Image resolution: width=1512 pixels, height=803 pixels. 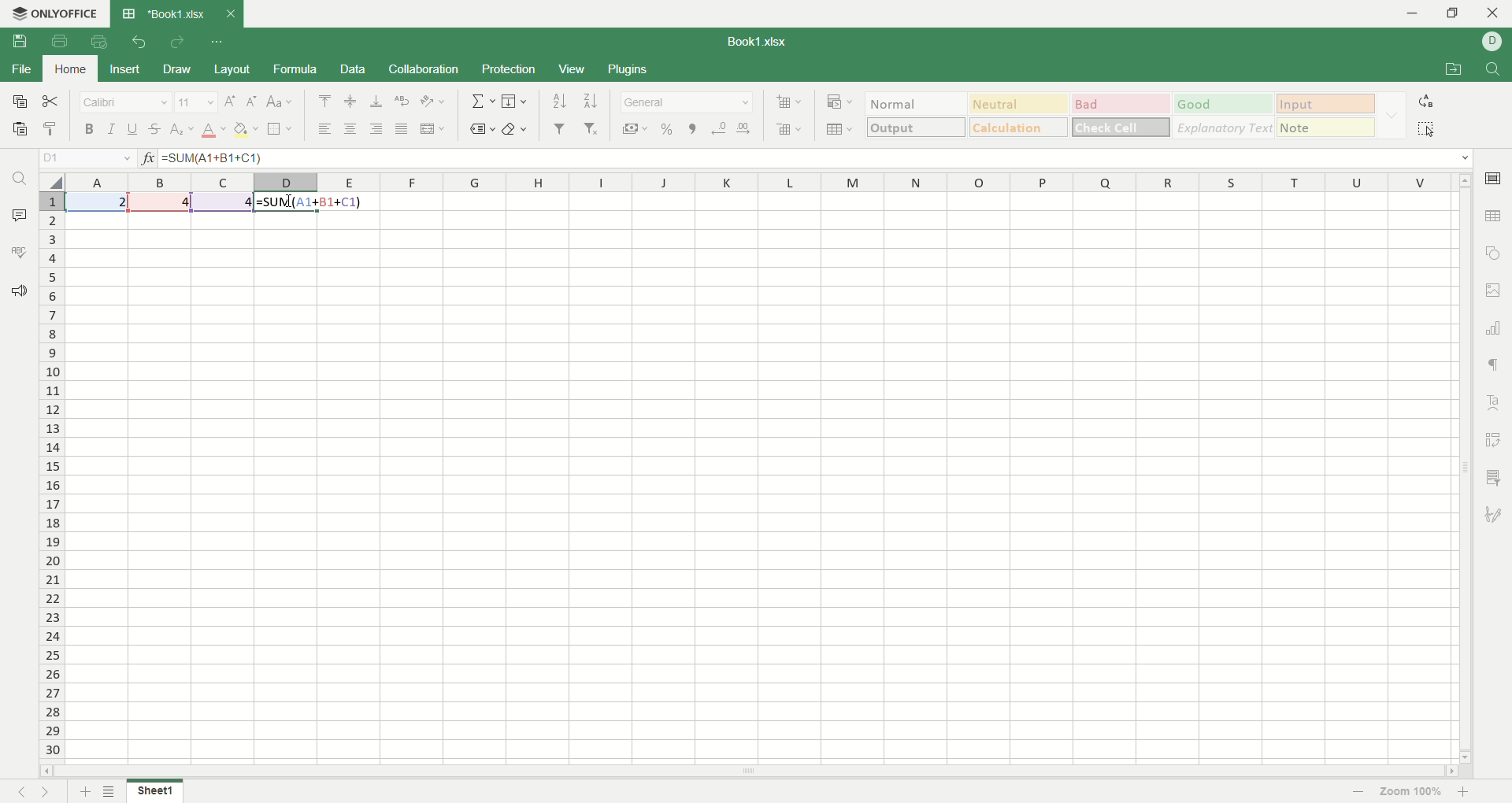 I want to click on decrease font, so click(x=249, y=102).